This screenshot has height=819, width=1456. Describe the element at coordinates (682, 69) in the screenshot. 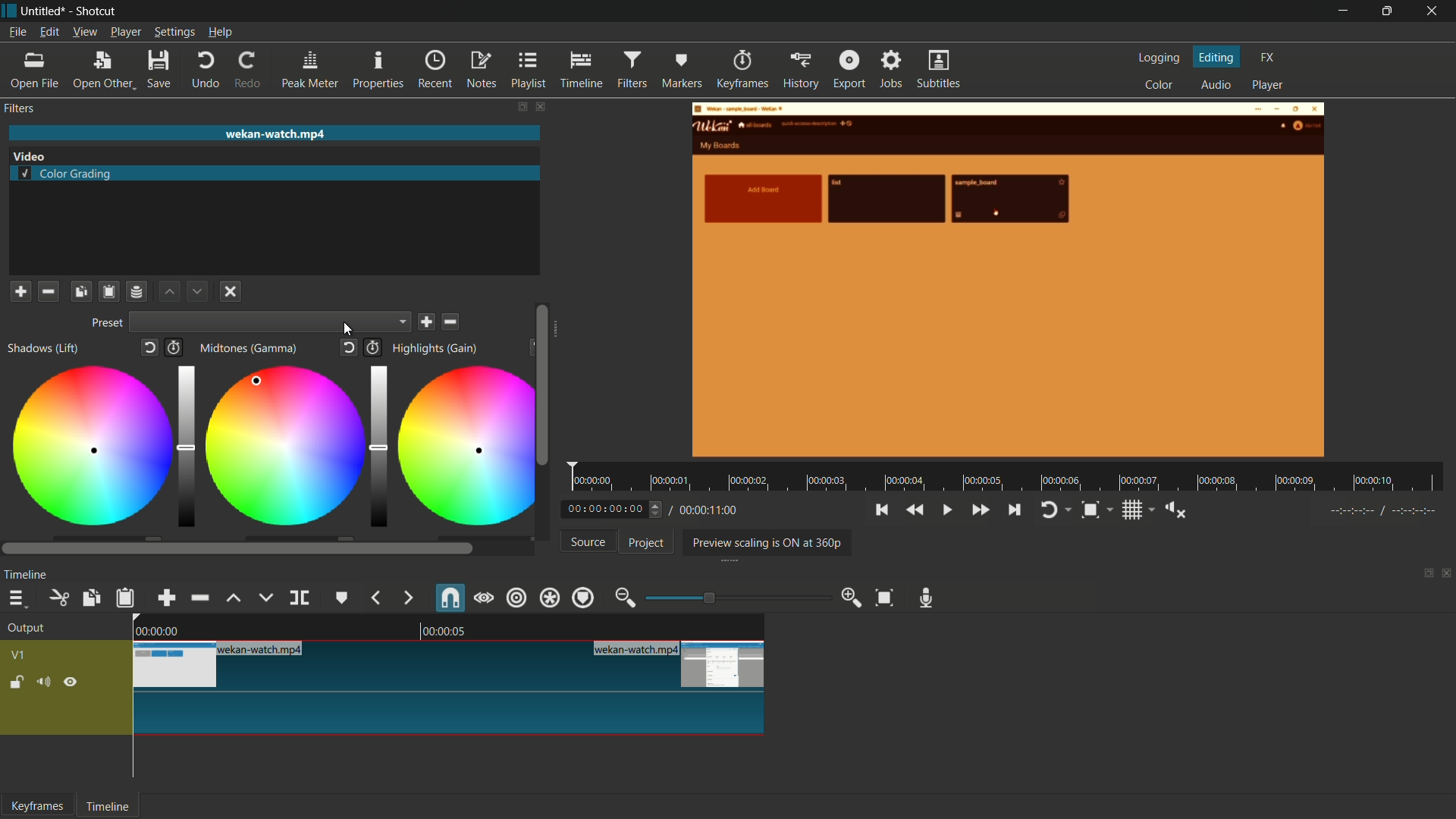

I see `markers` at that location.